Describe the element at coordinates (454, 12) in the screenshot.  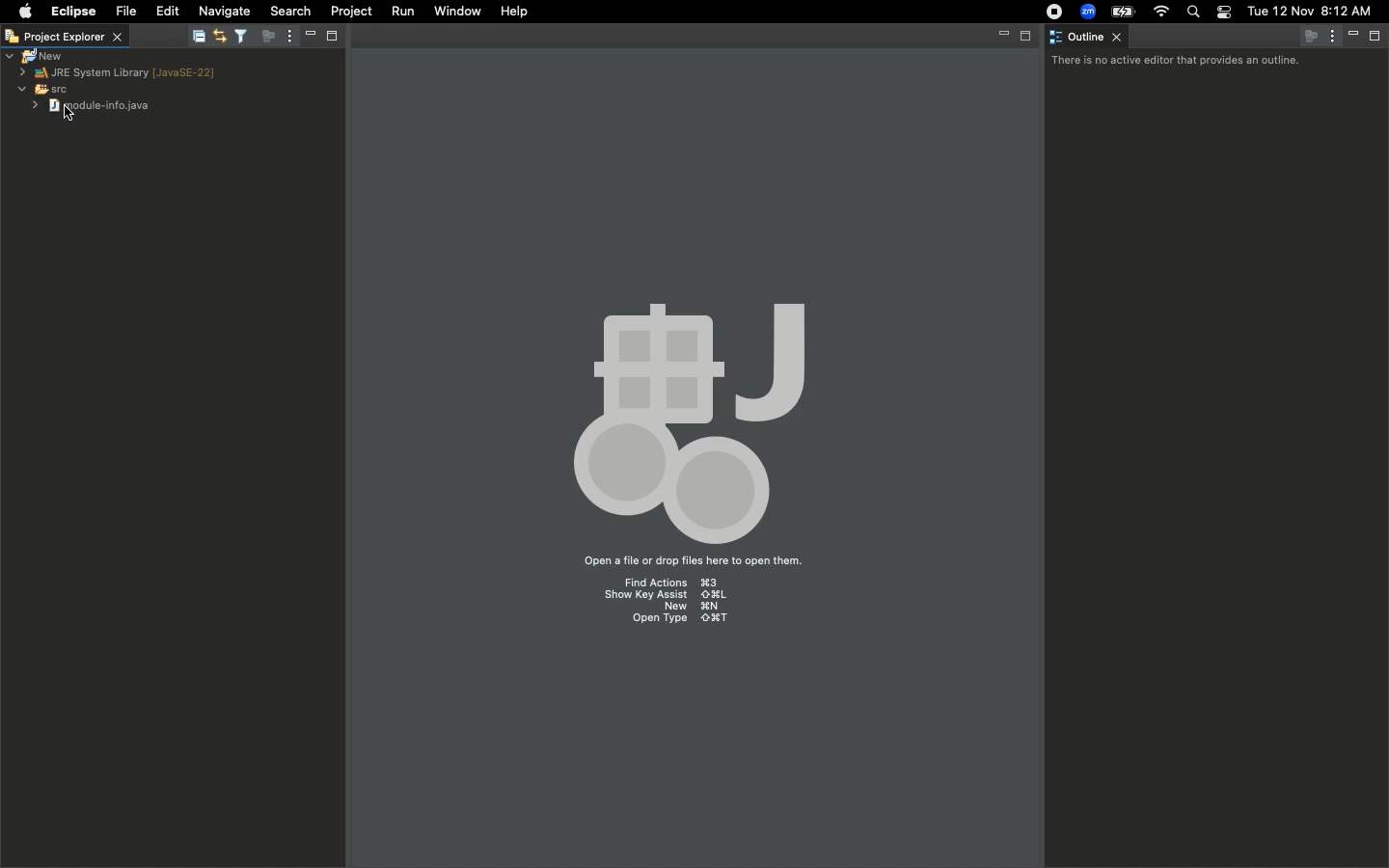
I see `Window` at that location.